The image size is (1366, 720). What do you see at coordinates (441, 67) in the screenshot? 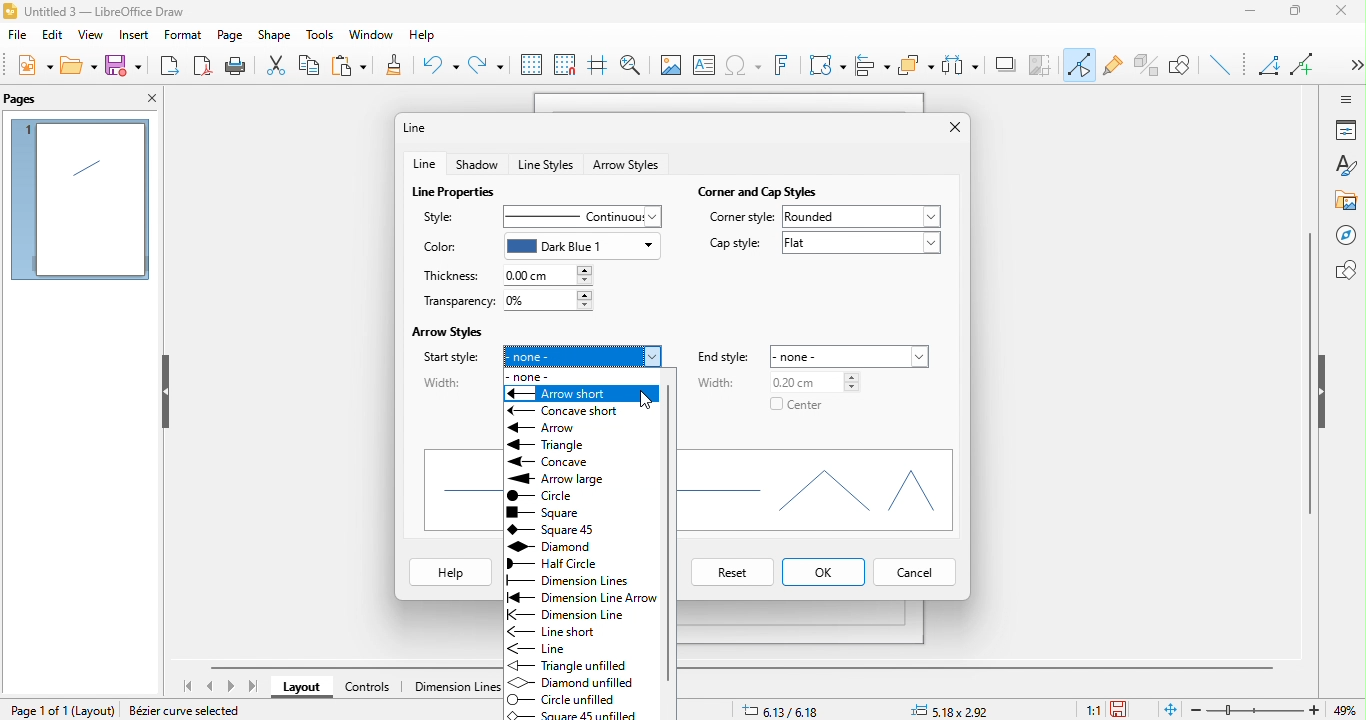
I see `undo` at bounding box center [441, 67].